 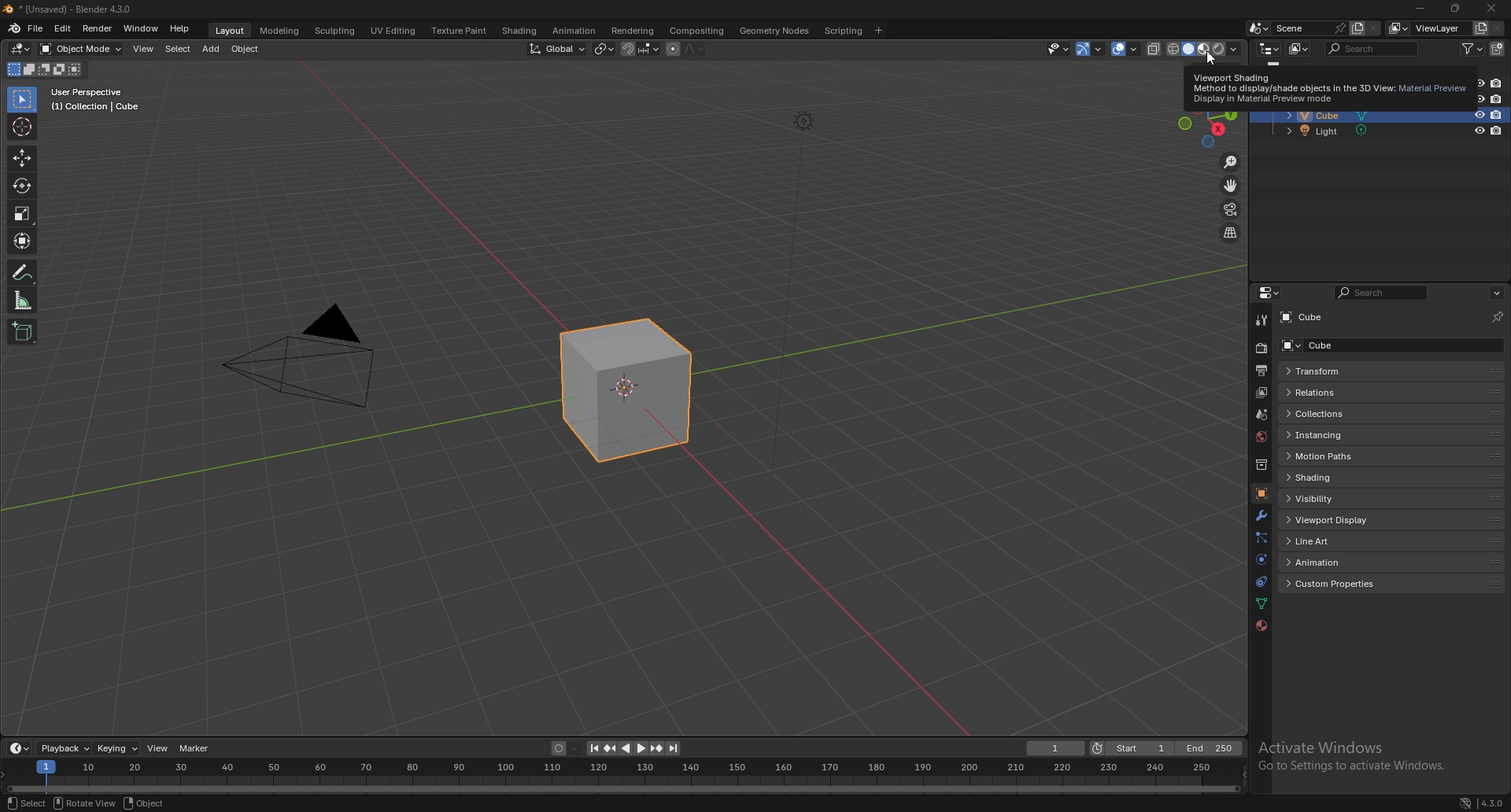 What do you see at coordinates (336, 31) in the screenshot?
I see `sculpting` at bounding box center [336, 31].